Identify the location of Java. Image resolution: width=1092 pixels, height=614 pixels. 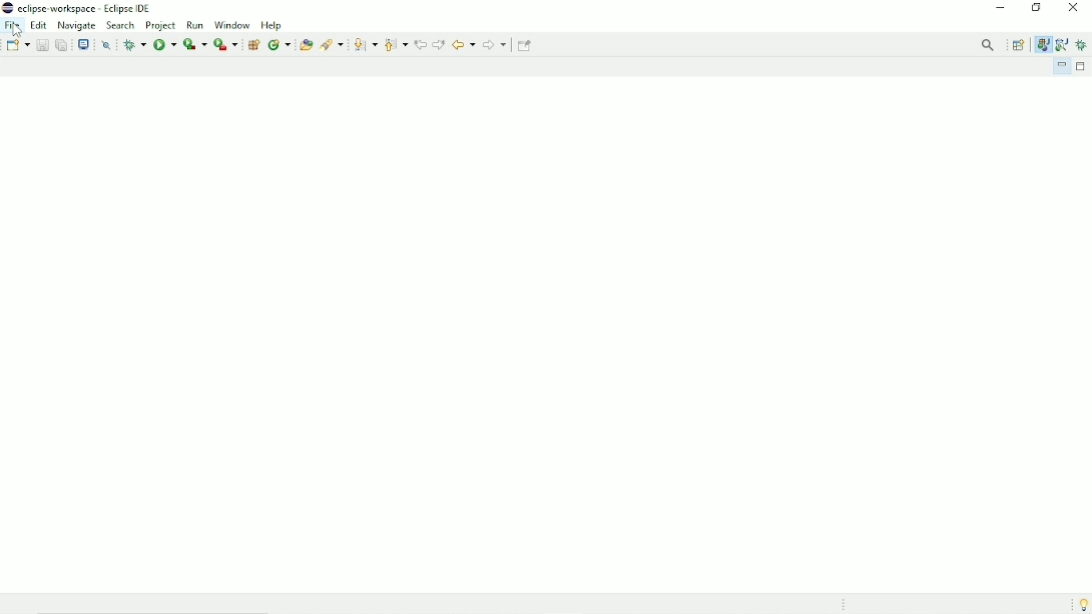
(1042, 44).